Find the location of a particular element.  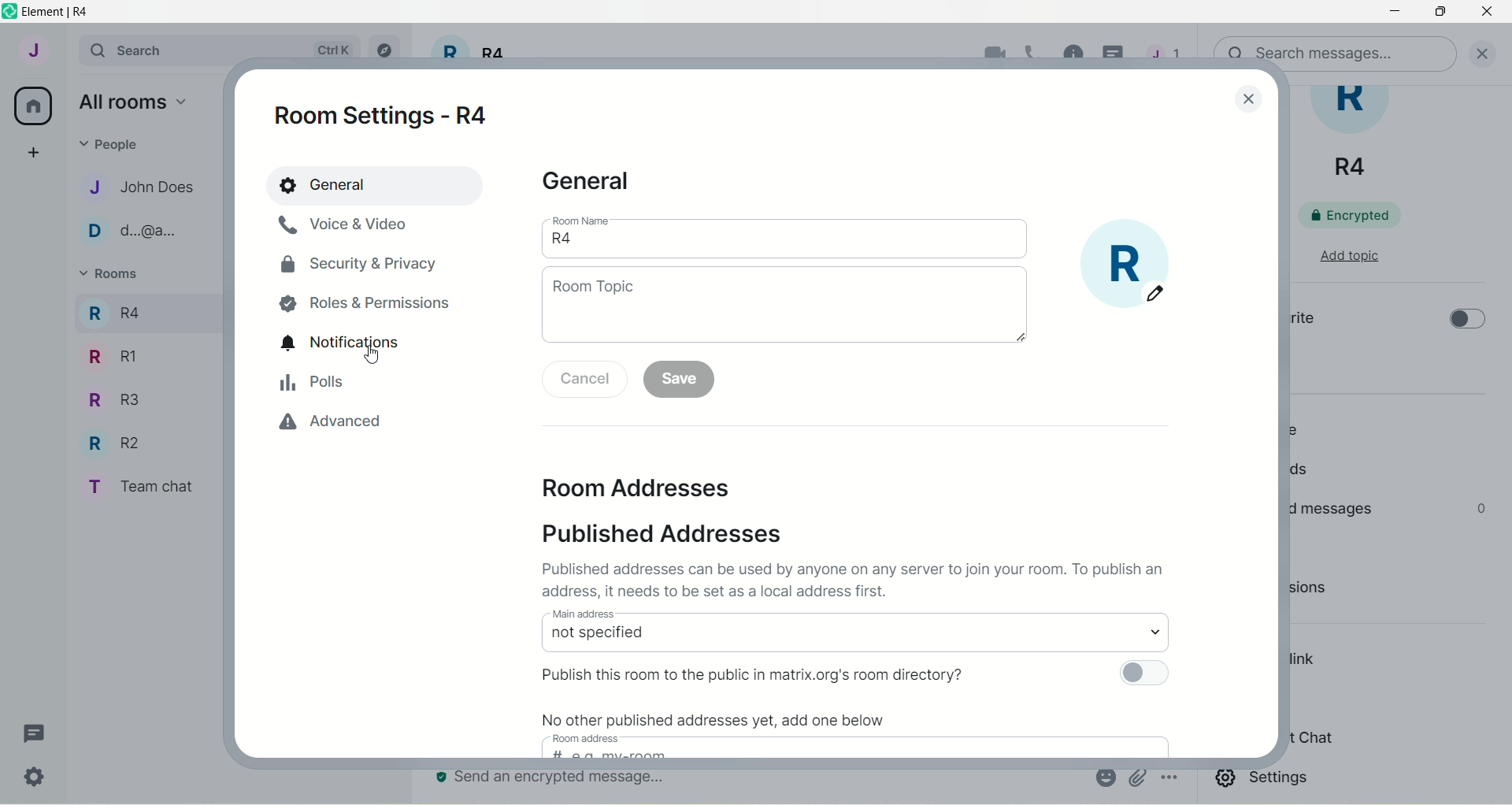

Publish this room to the public in matrix.org's room directory? is located at coordinates (742, 677).